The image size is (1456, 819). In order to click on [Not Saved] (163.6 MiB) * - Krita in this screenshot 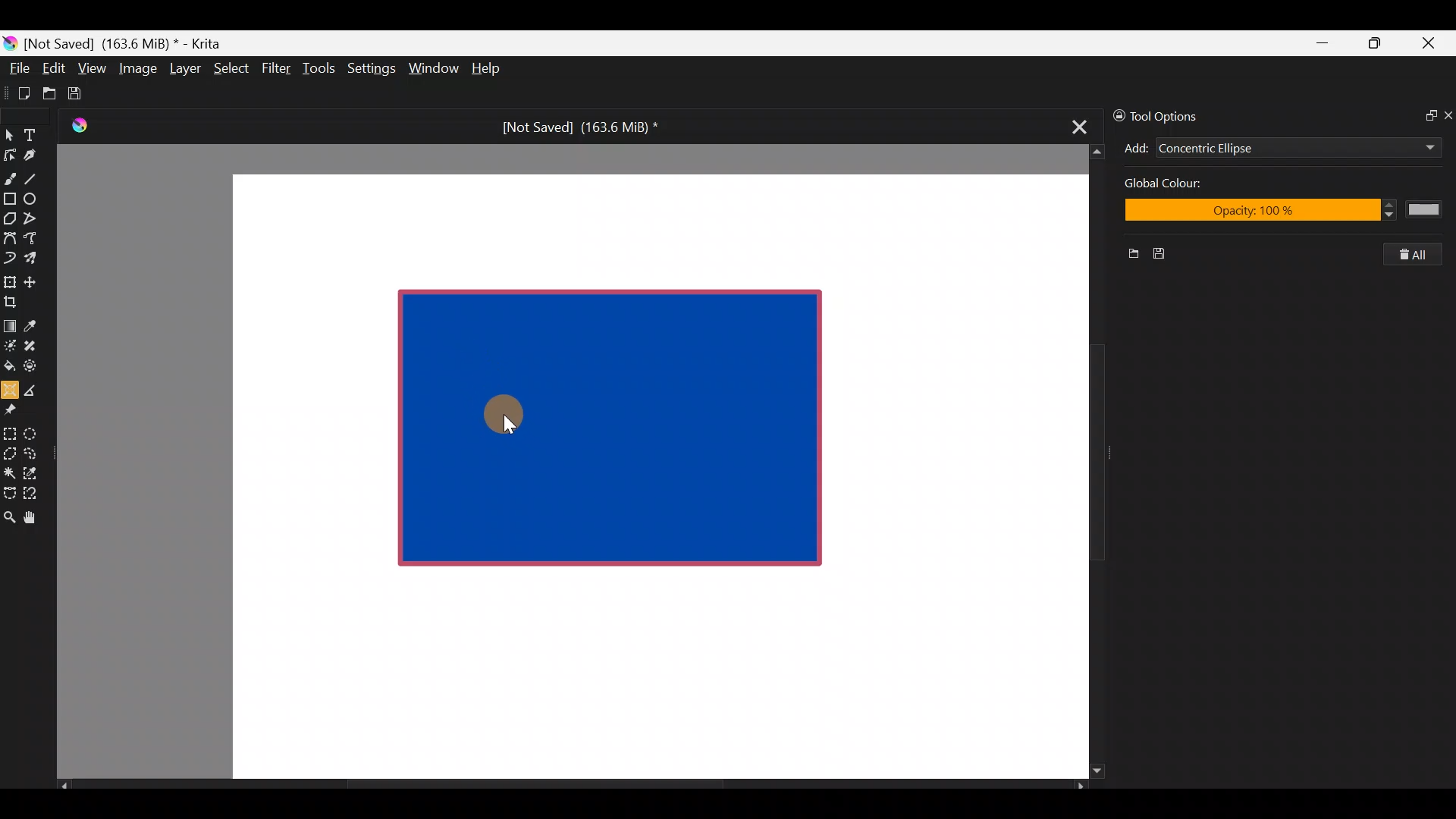, I will do `click(130, 42)`.